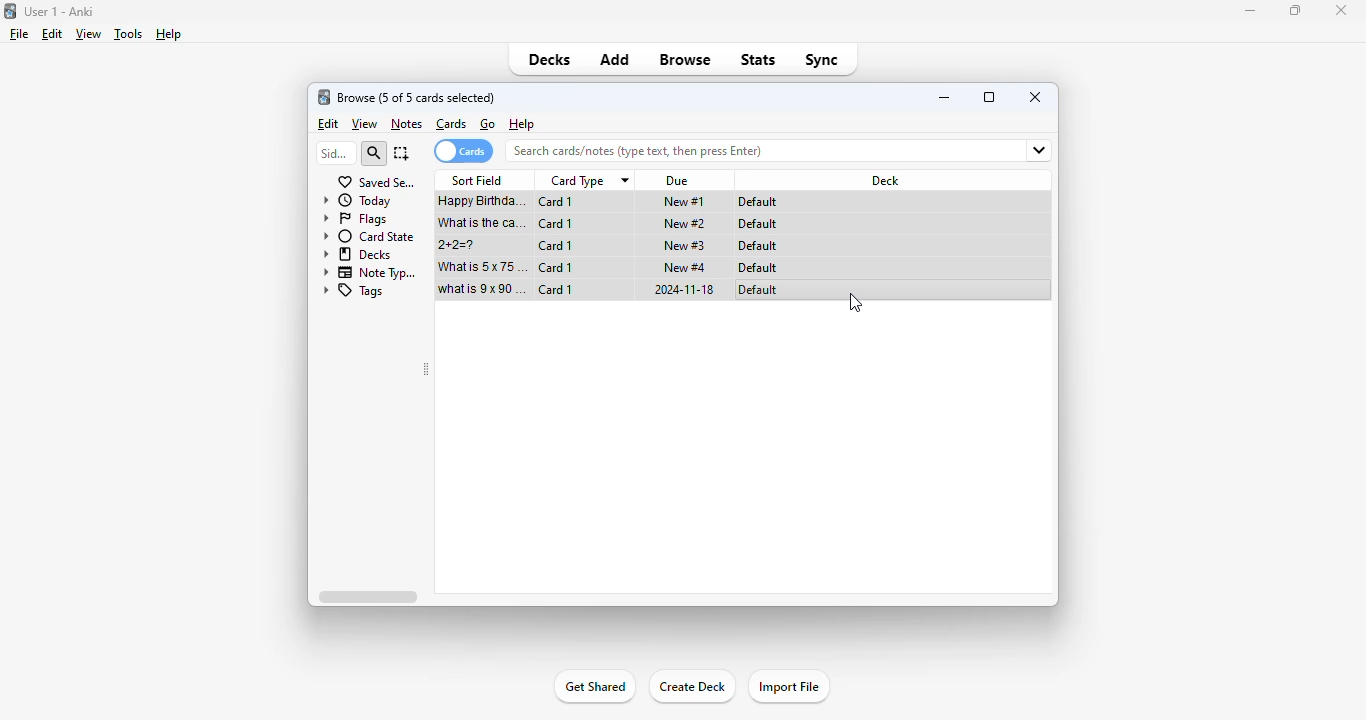 This screenshot has height=720, width=1366. I want to click on search bar, so click(756, 149).